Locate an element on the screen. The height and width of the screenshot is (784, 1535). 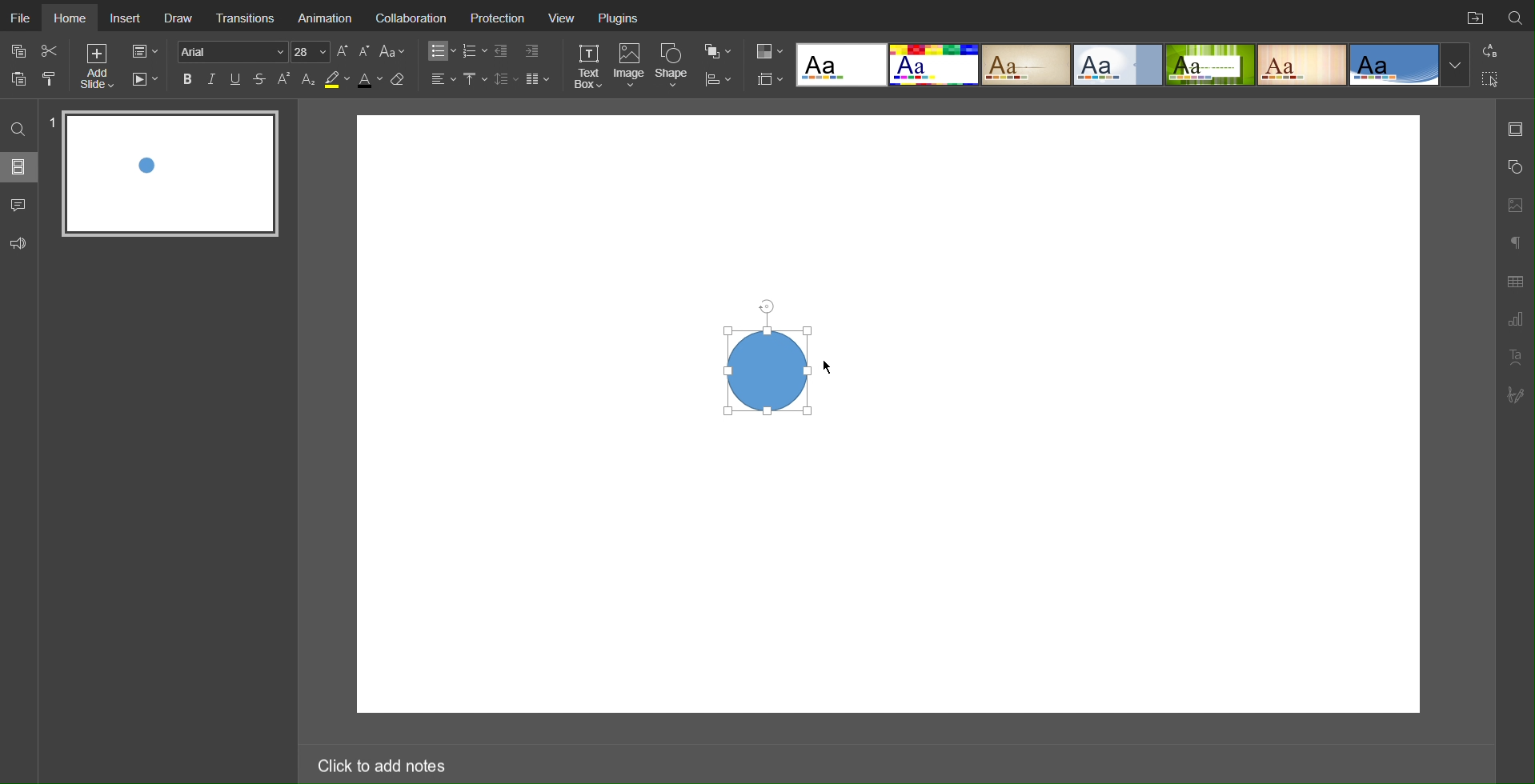
Insert is located at coordinates (124, 17).